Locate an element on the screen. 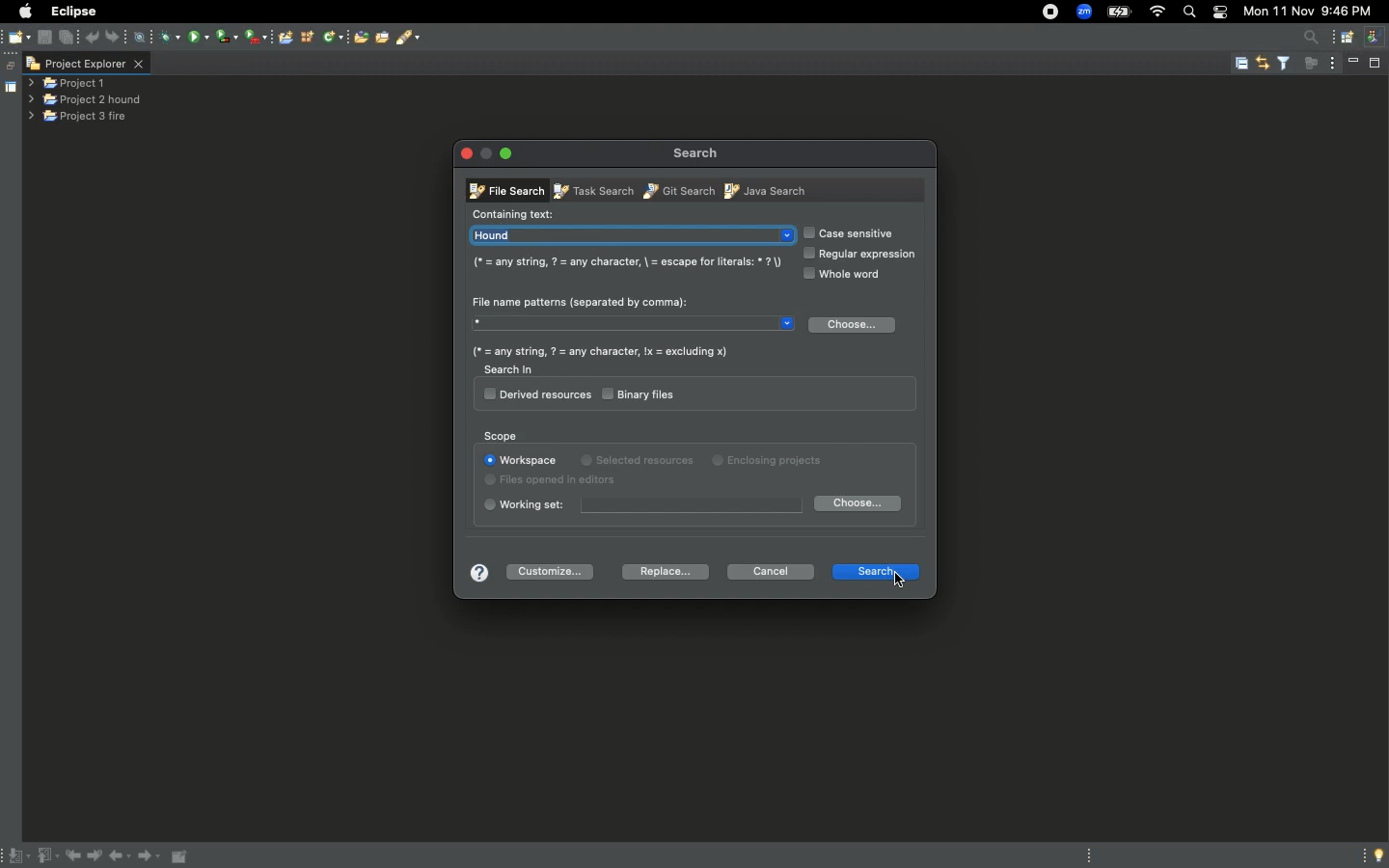  Previous edit location is located at coordinates (76, 856).